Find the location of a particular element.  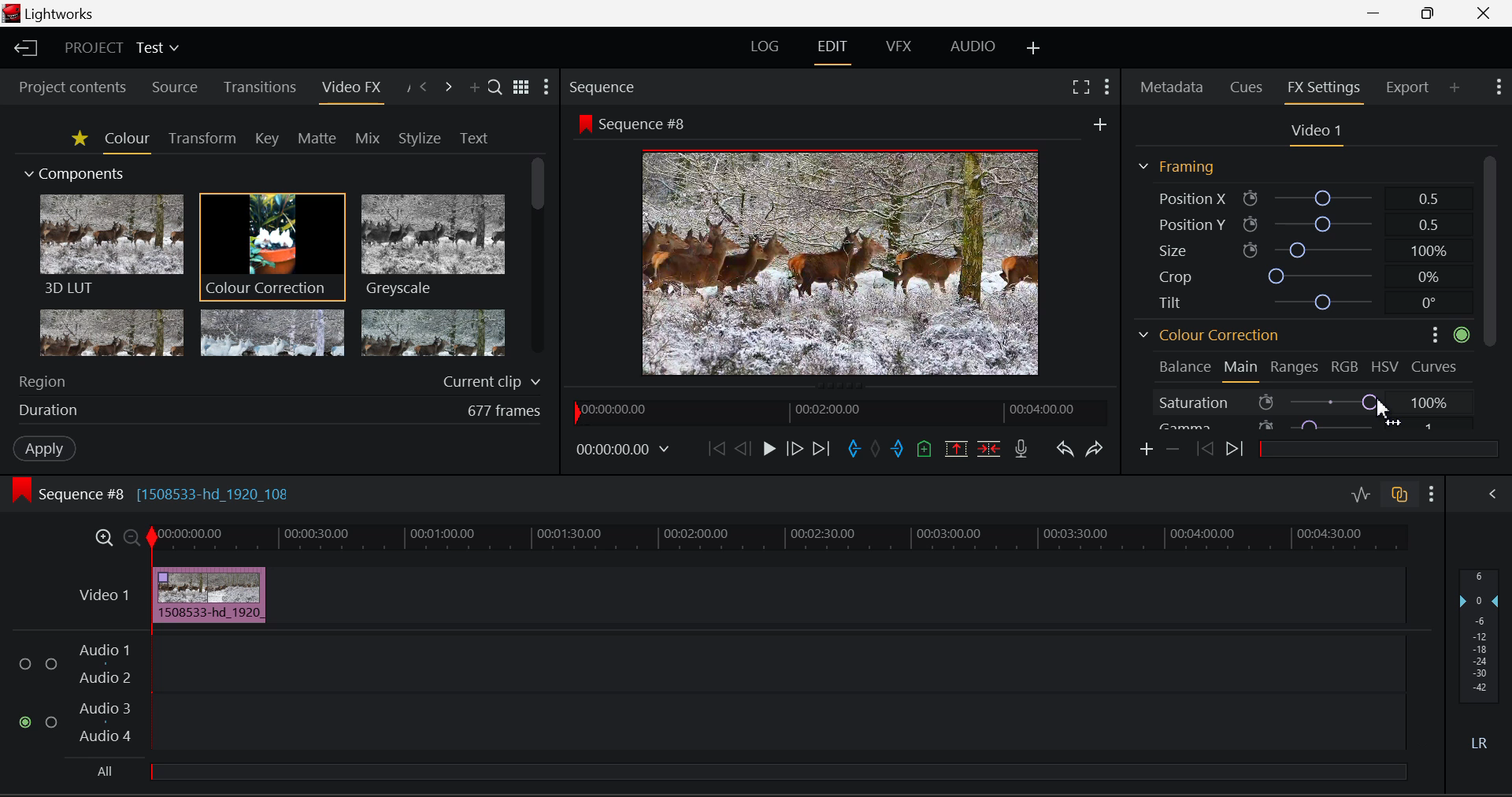

All is located at coordinates (744, 776).